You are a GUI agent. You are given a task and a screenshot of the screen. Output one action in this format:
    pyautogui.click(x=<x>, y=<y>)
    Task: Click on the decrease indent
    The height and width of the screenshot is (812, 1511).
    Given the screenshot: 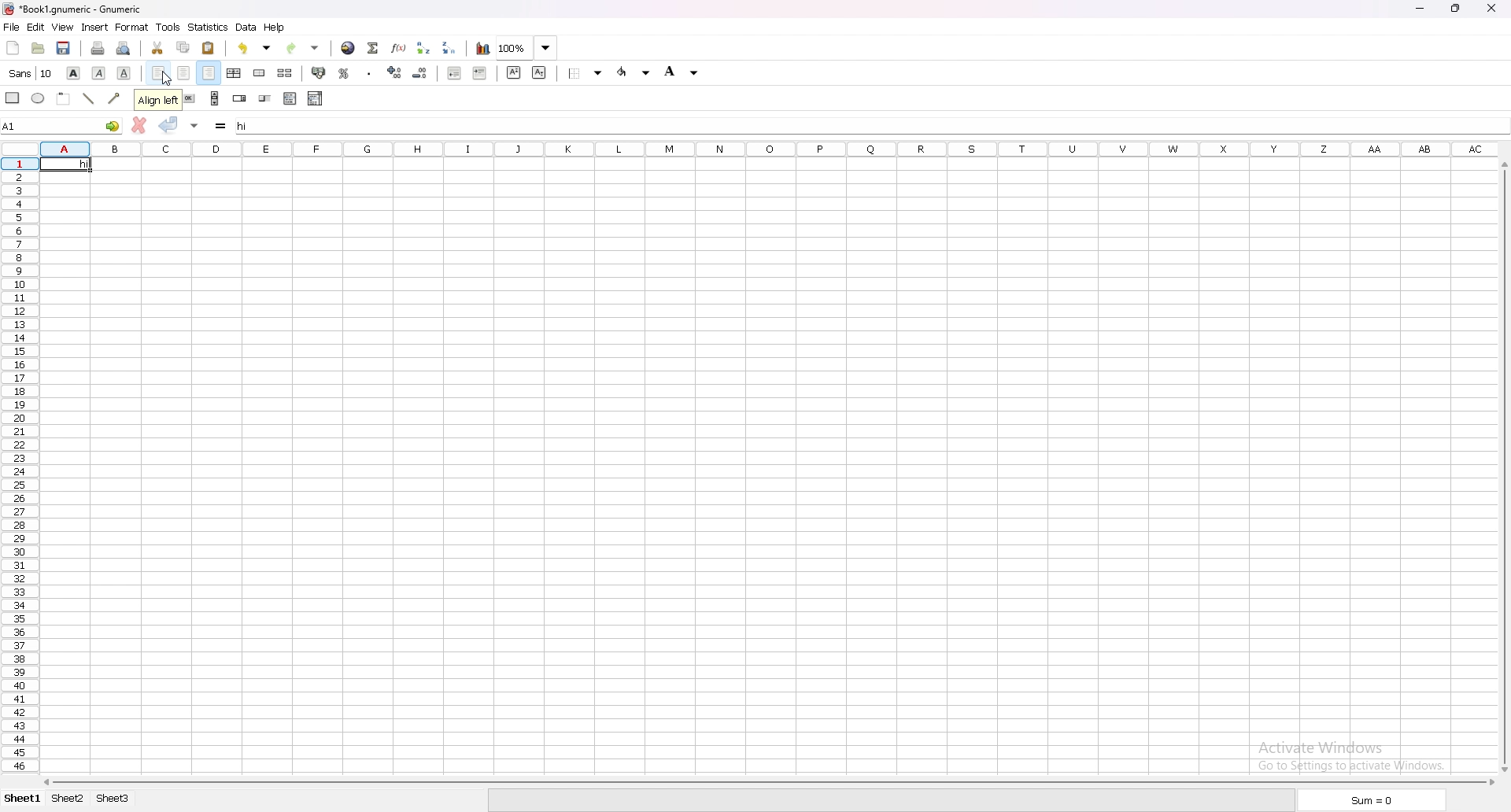 What is the action you would take?
    pyautogui.click(x=456, y=72)
    